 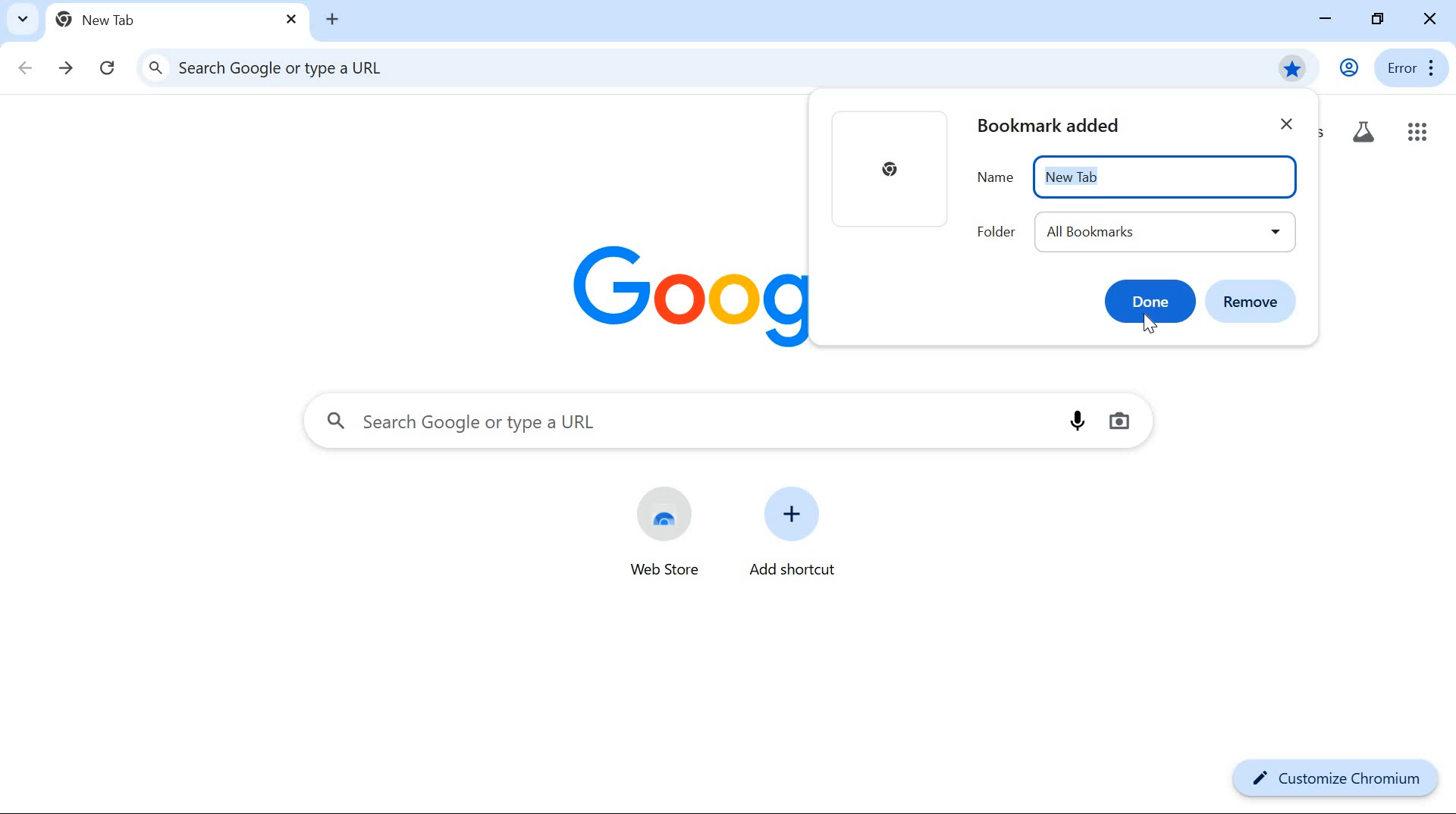 I want to click on minimize, so click(x=1324, y=19).